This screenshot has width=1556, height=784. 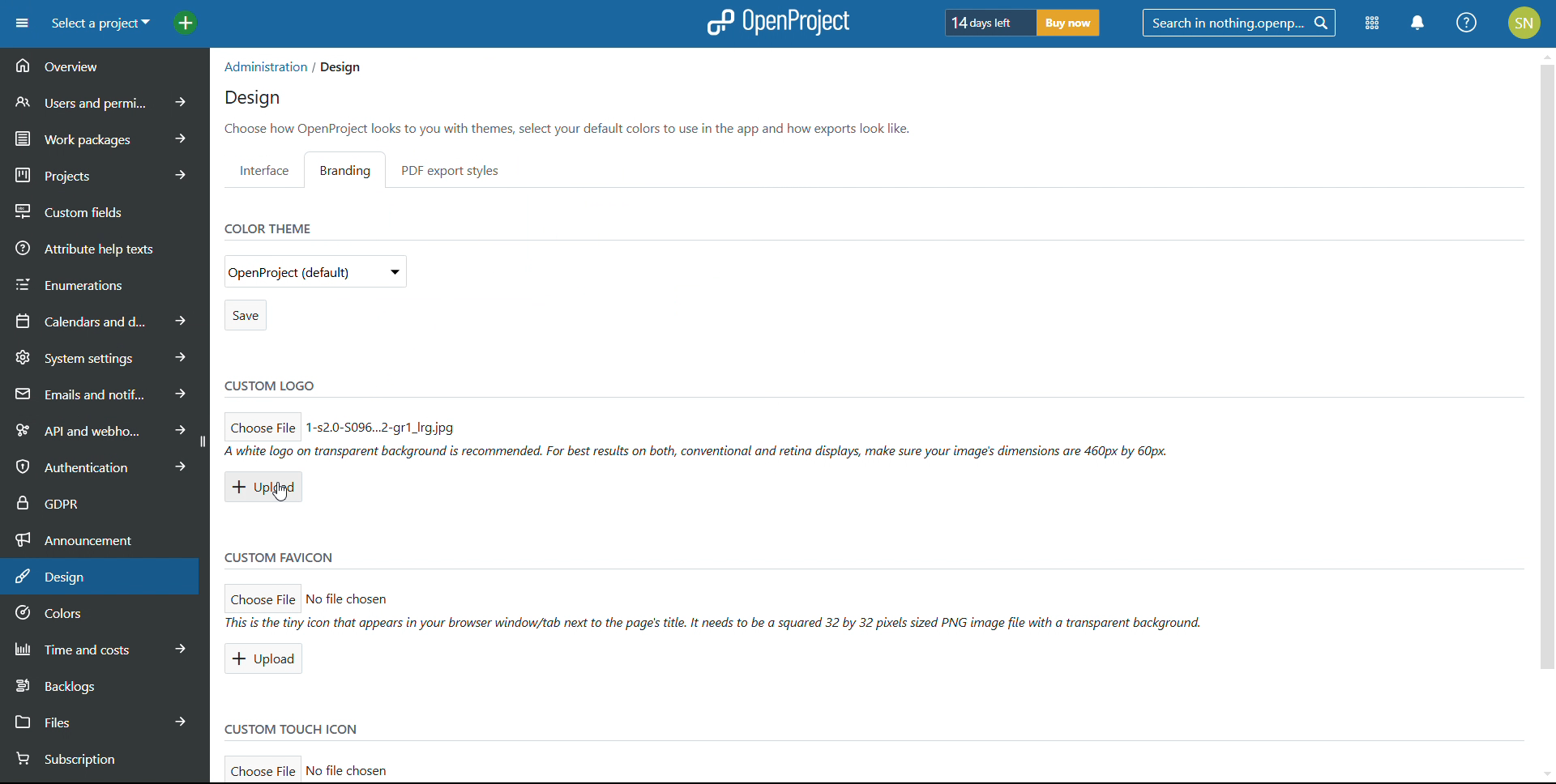 I want to click on files, so click(x=101, y=720).